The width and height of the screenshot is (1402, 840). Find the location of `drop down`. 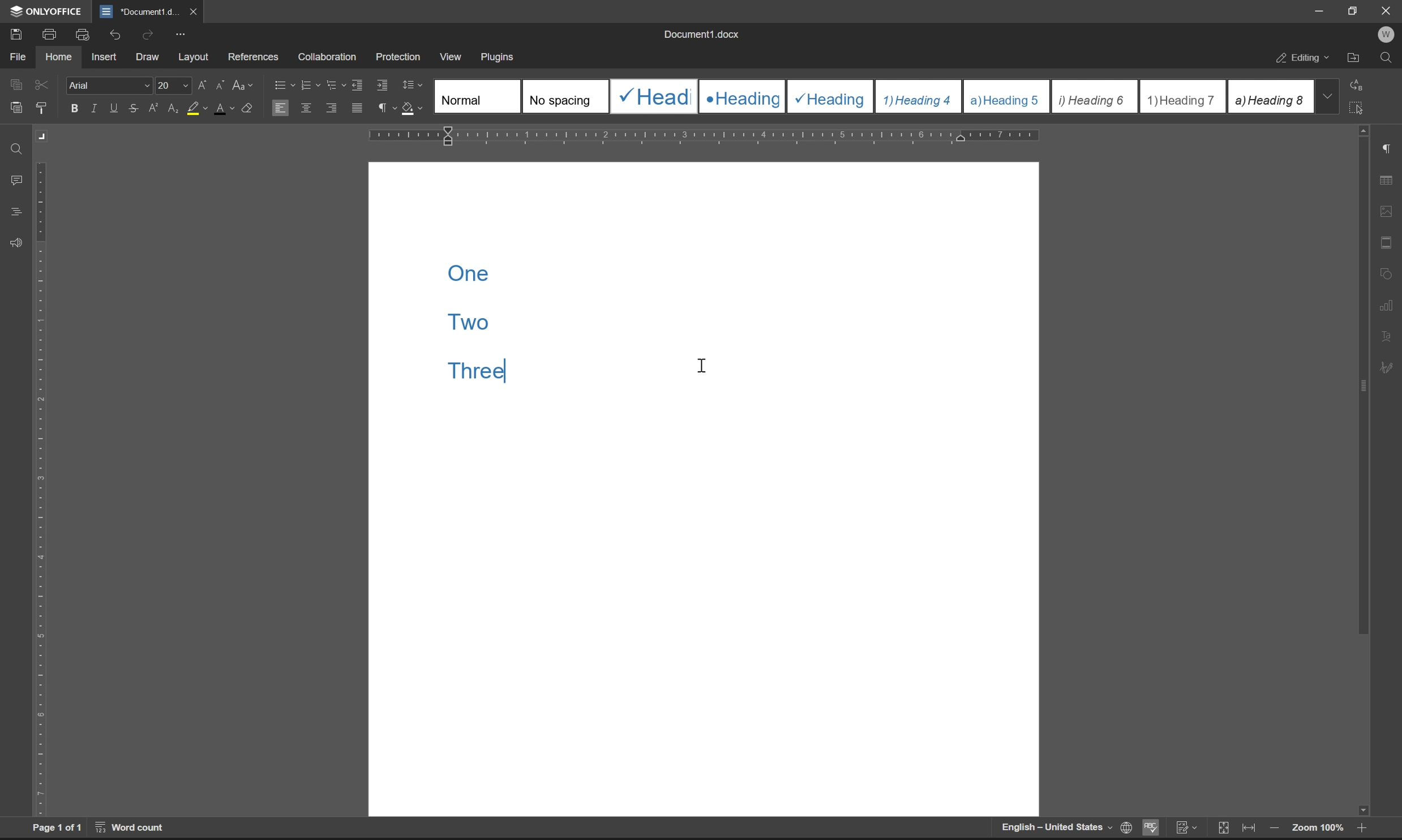

drop down is located at coordinates (1327, 96).